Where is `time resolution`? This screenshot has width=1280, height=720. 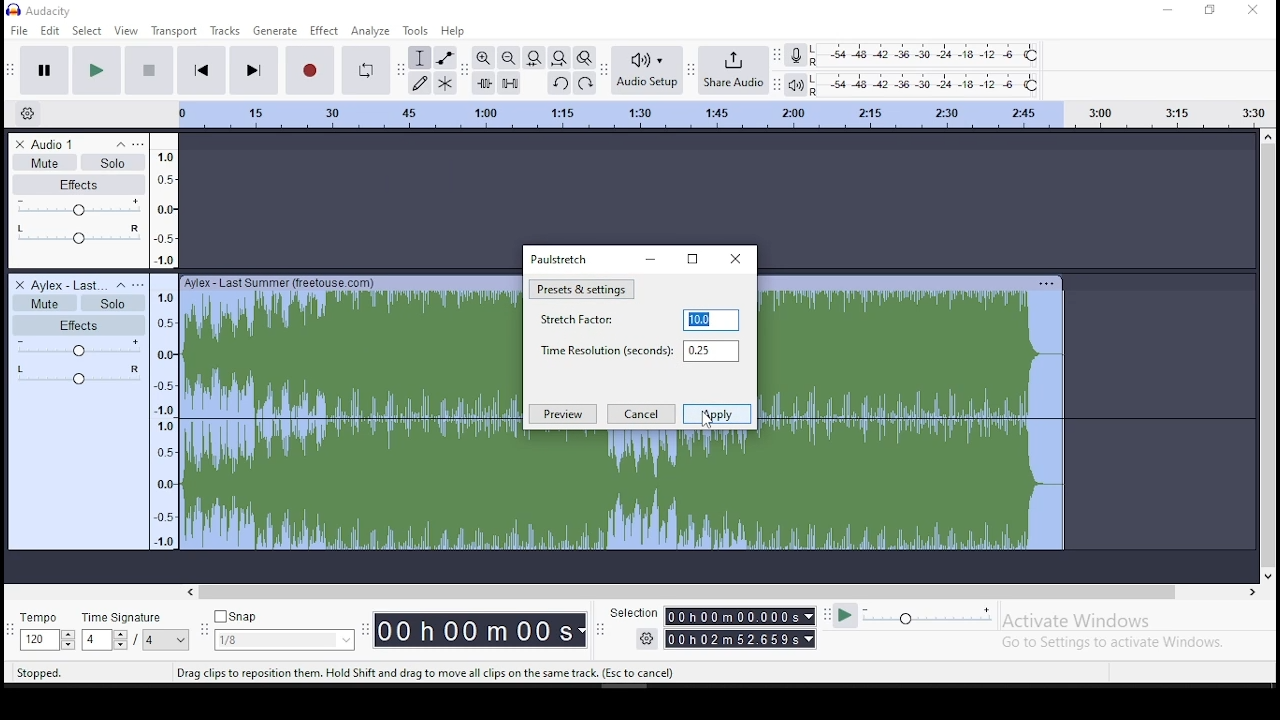 time resolution is located at coordinates (642, 349).